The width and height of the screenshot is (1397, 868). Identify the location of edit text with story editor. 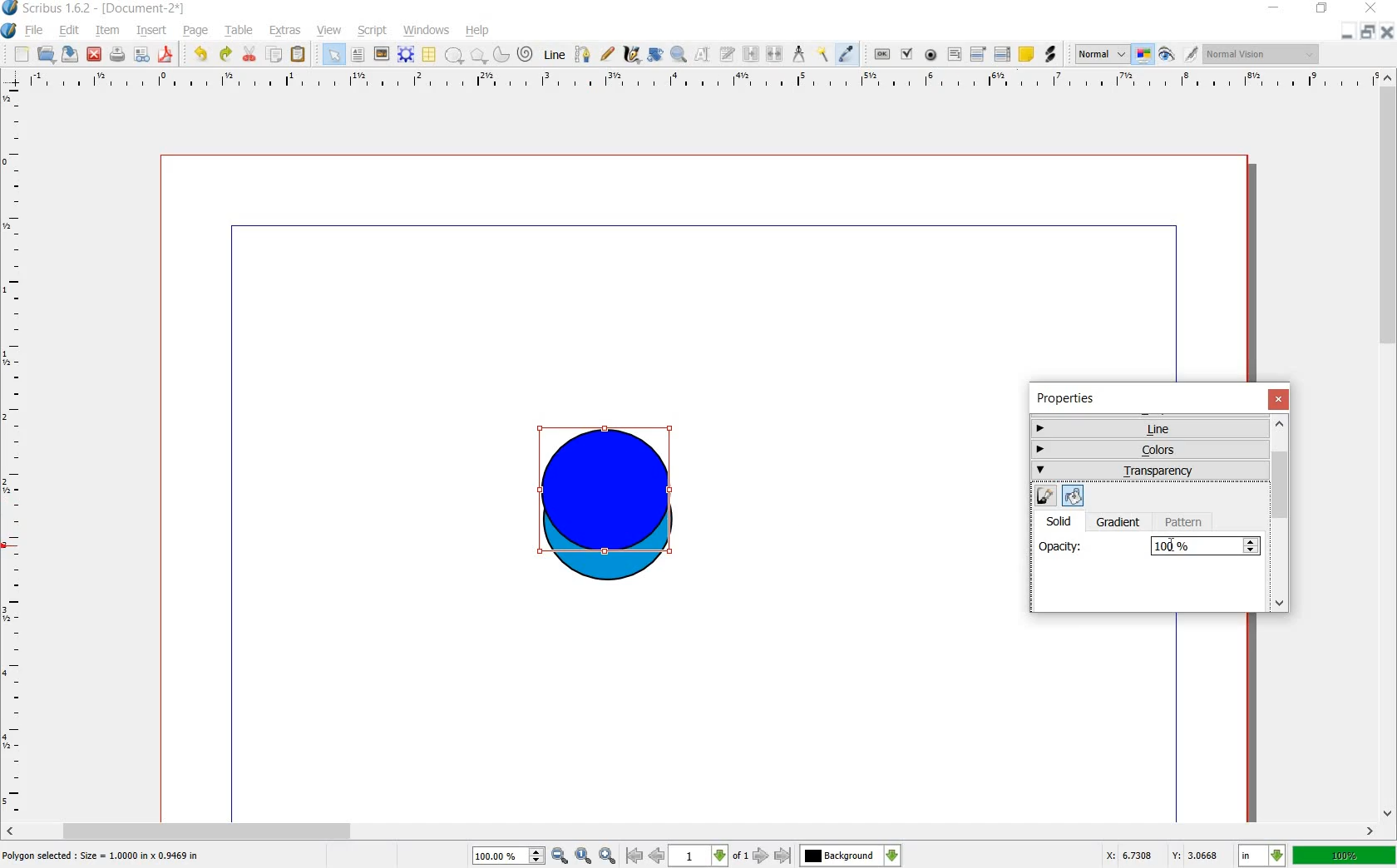
(728, 56).